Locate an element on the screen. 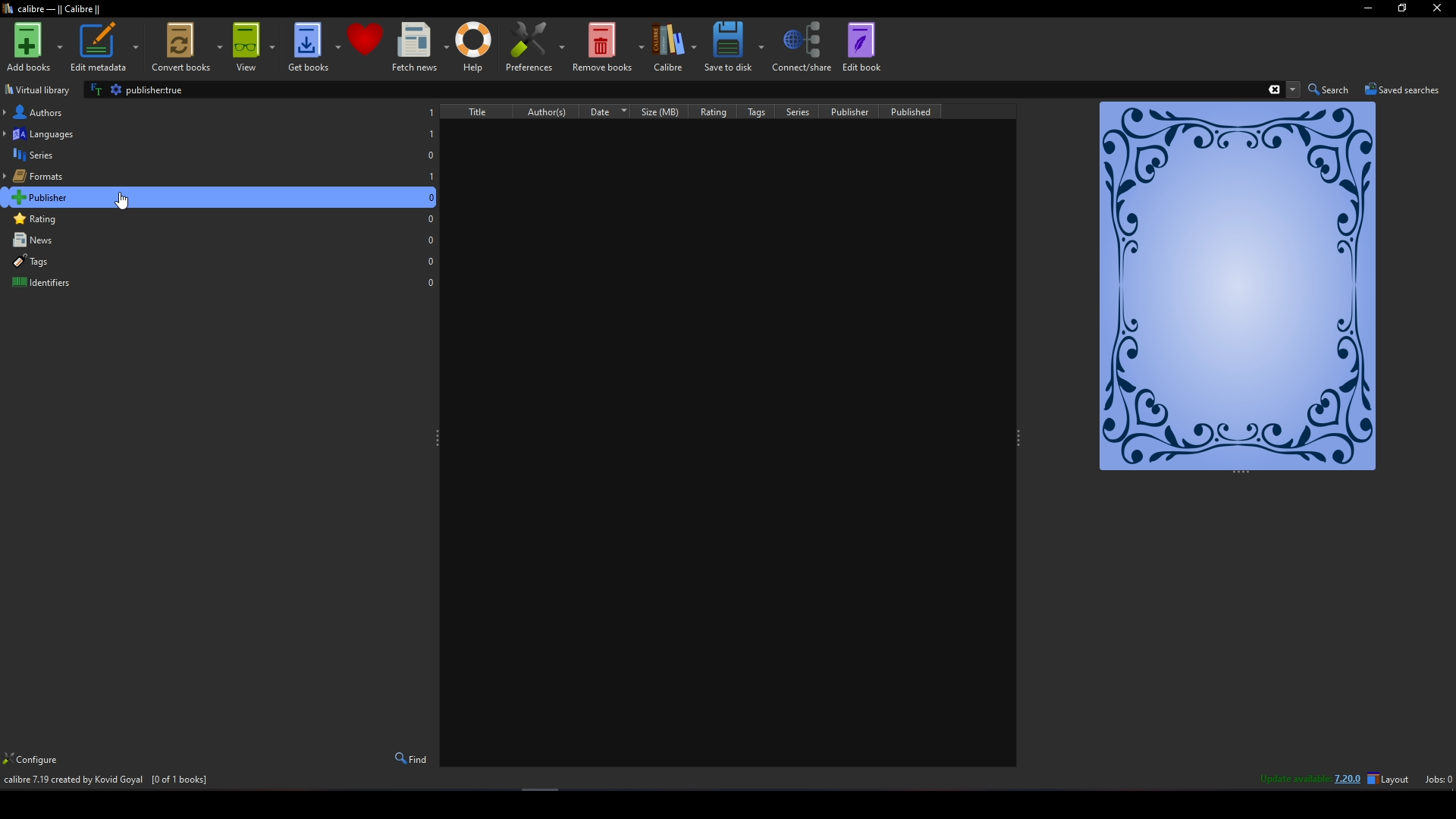  Series is located at coordinates (221, 155).